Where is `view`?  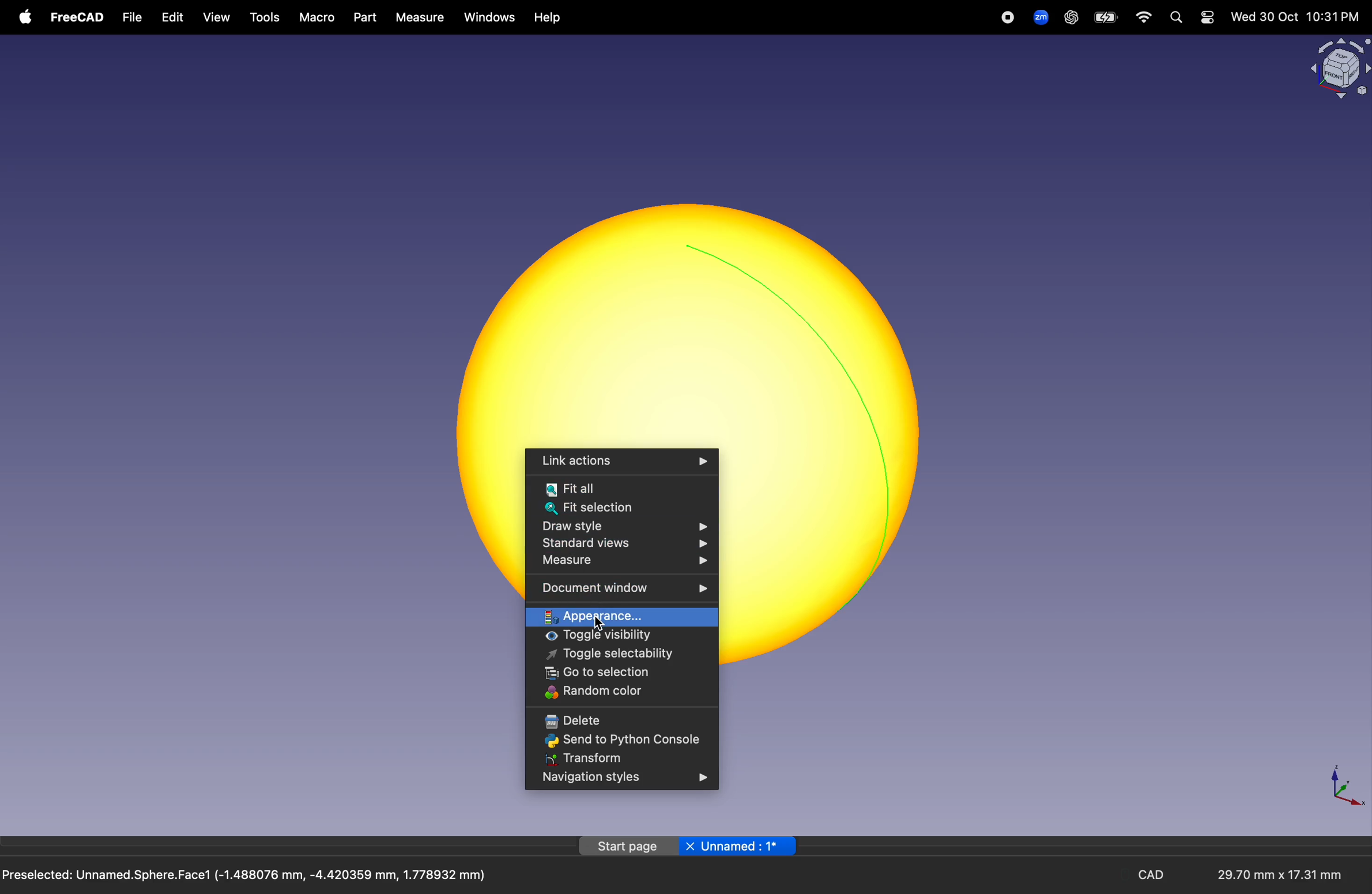 view is located at coordinates (217, 19).